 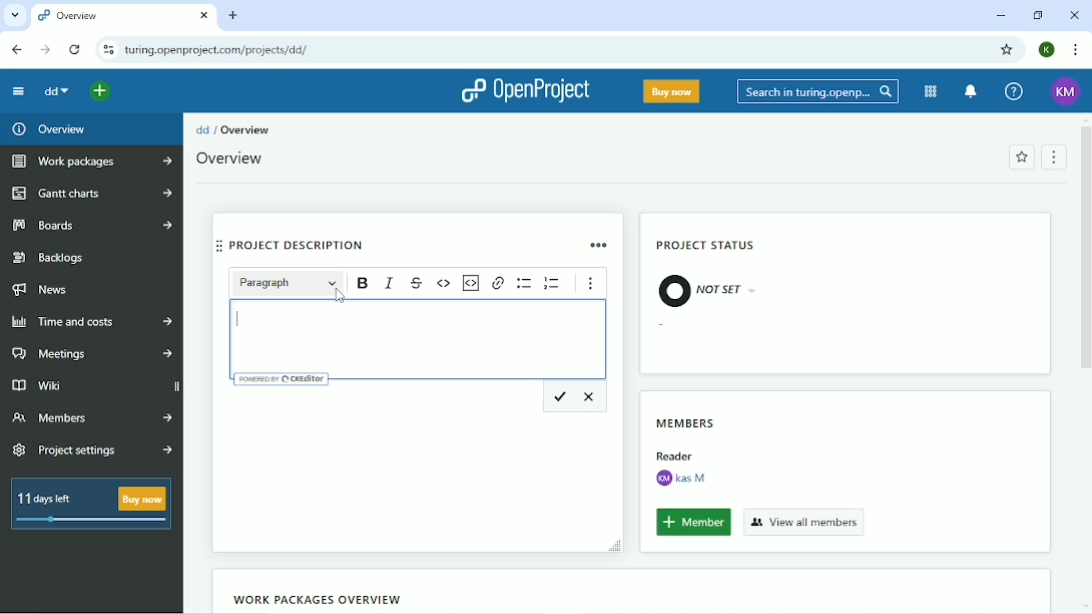 What do you see at coordinates (289, 283) in the screenshot?
I see `Paragraph` at bounding box center [289, 283].